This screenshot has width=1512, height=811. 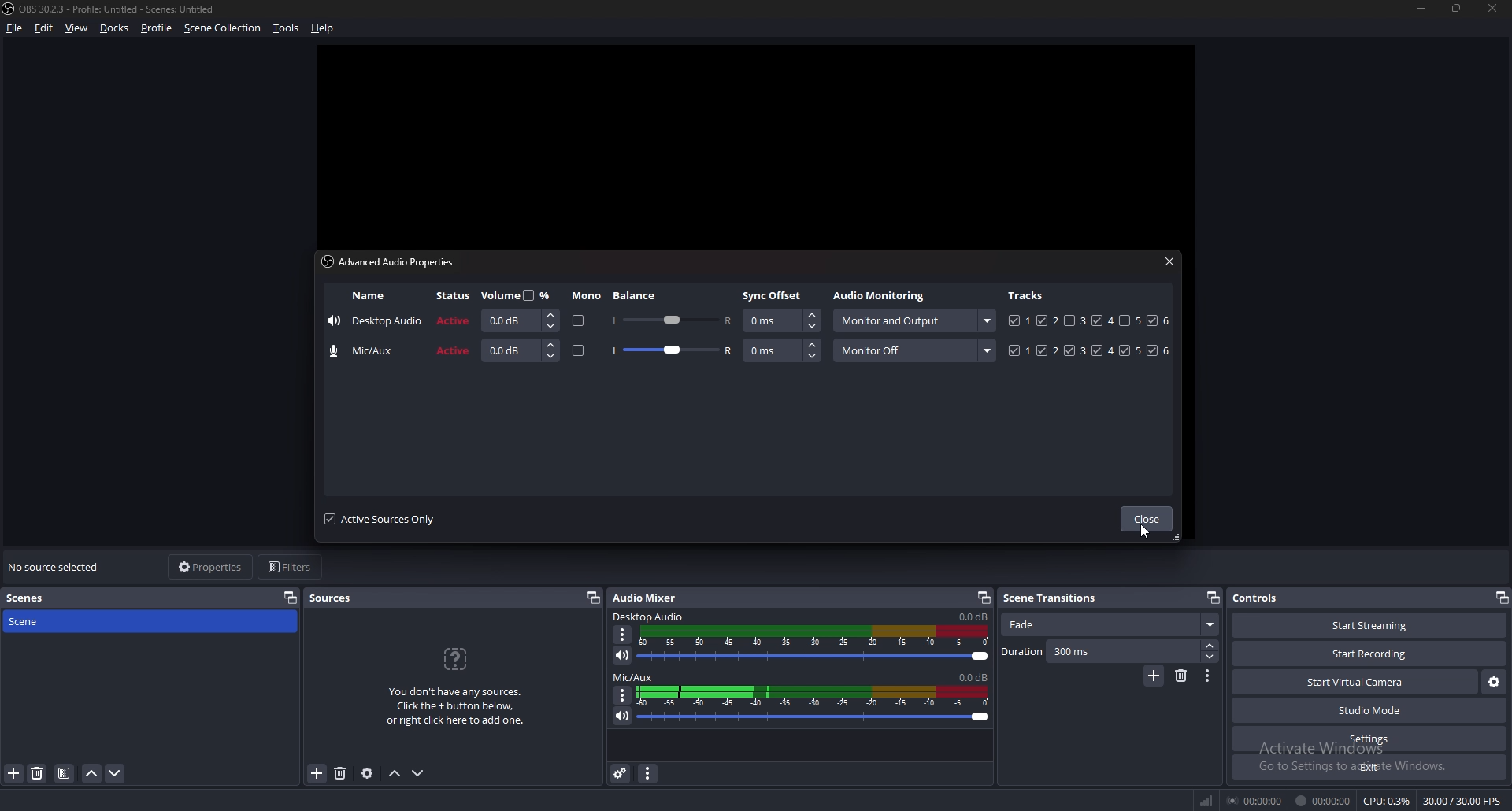 What do you see at coordinates (621, 716) in the screenshot?
I see `mute` at bounding box center [621, 716].